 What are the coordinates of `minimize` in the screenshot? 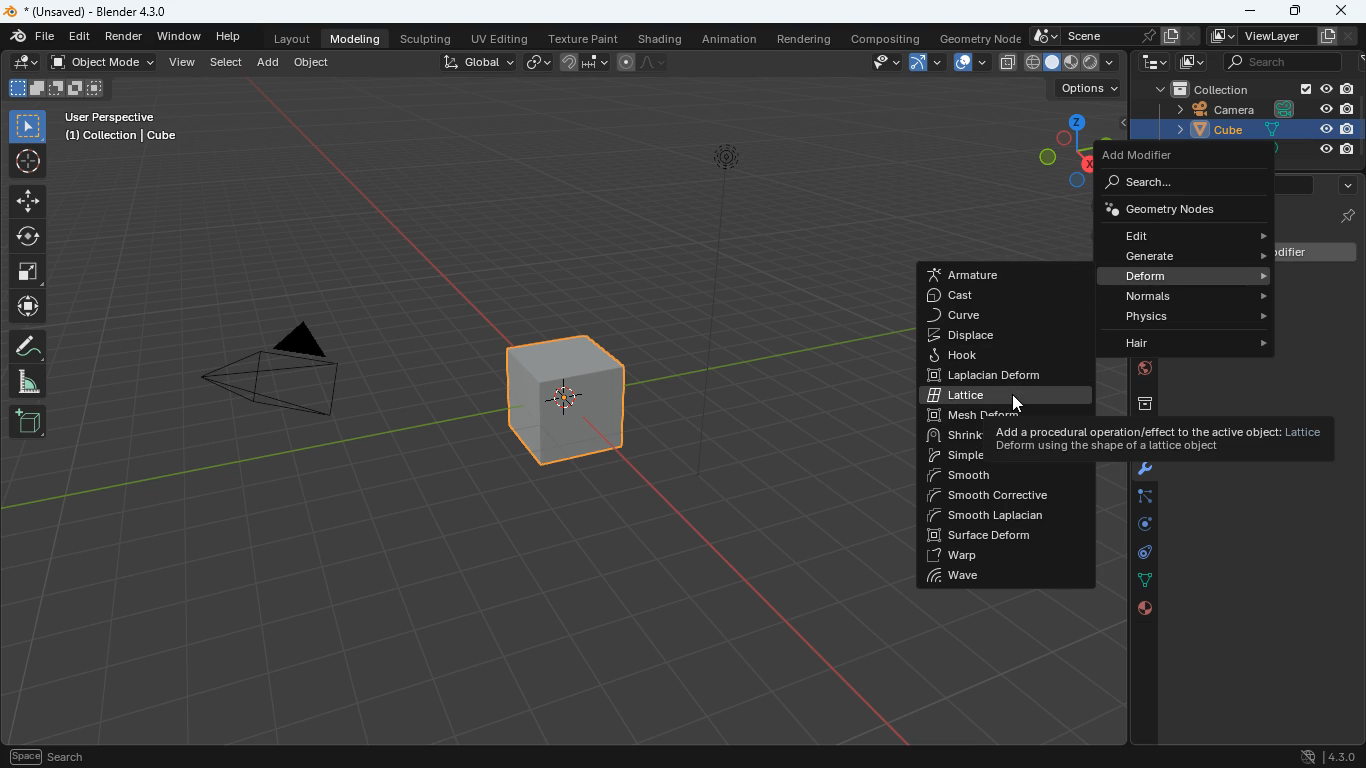 It's located at (1247, 12).